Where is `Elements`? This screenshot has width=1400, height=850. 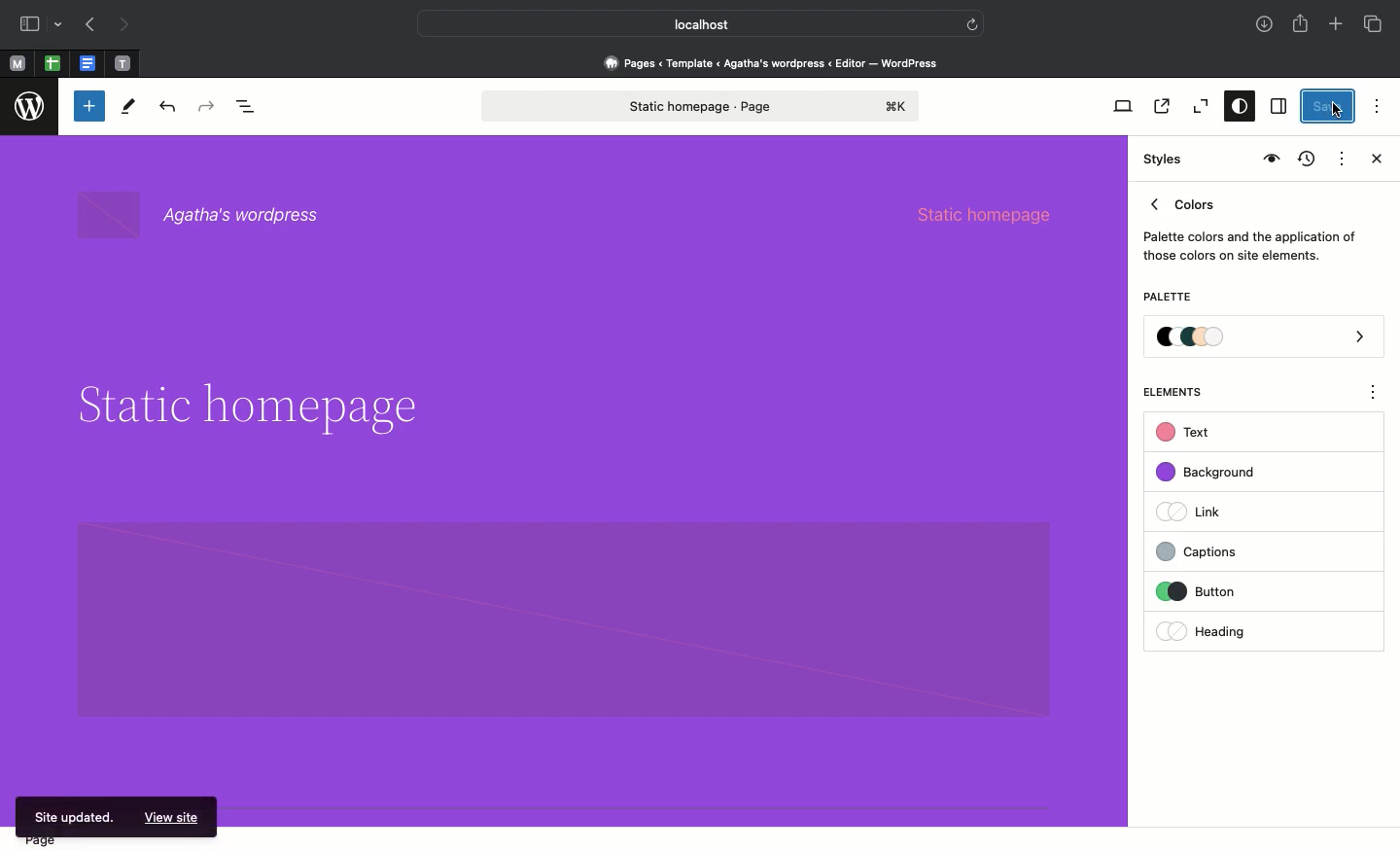 Elements is located at coordinates (1183, 392).